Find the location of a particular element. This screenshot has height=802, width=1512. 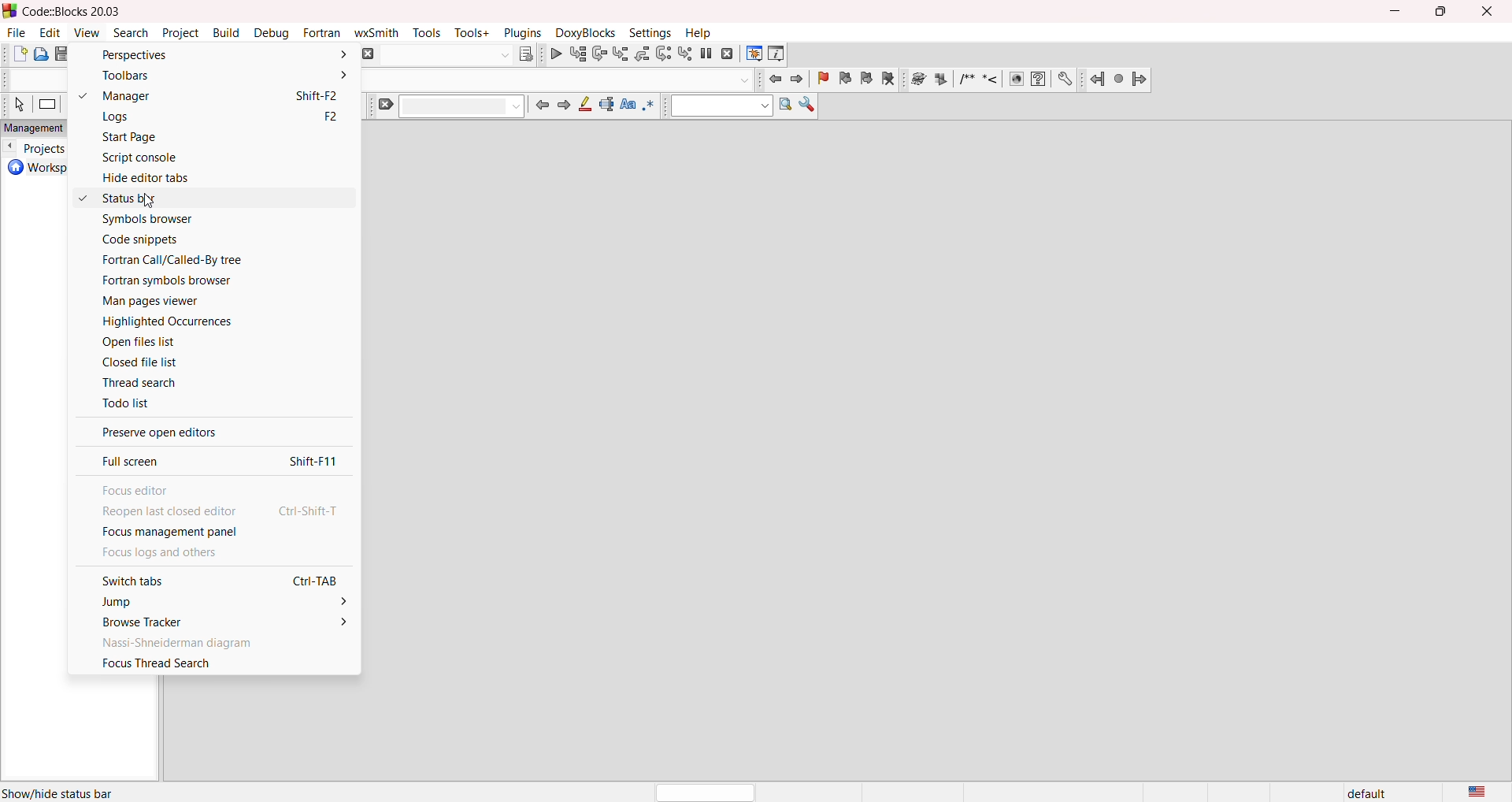

settings is located at coordinates (651, 33).